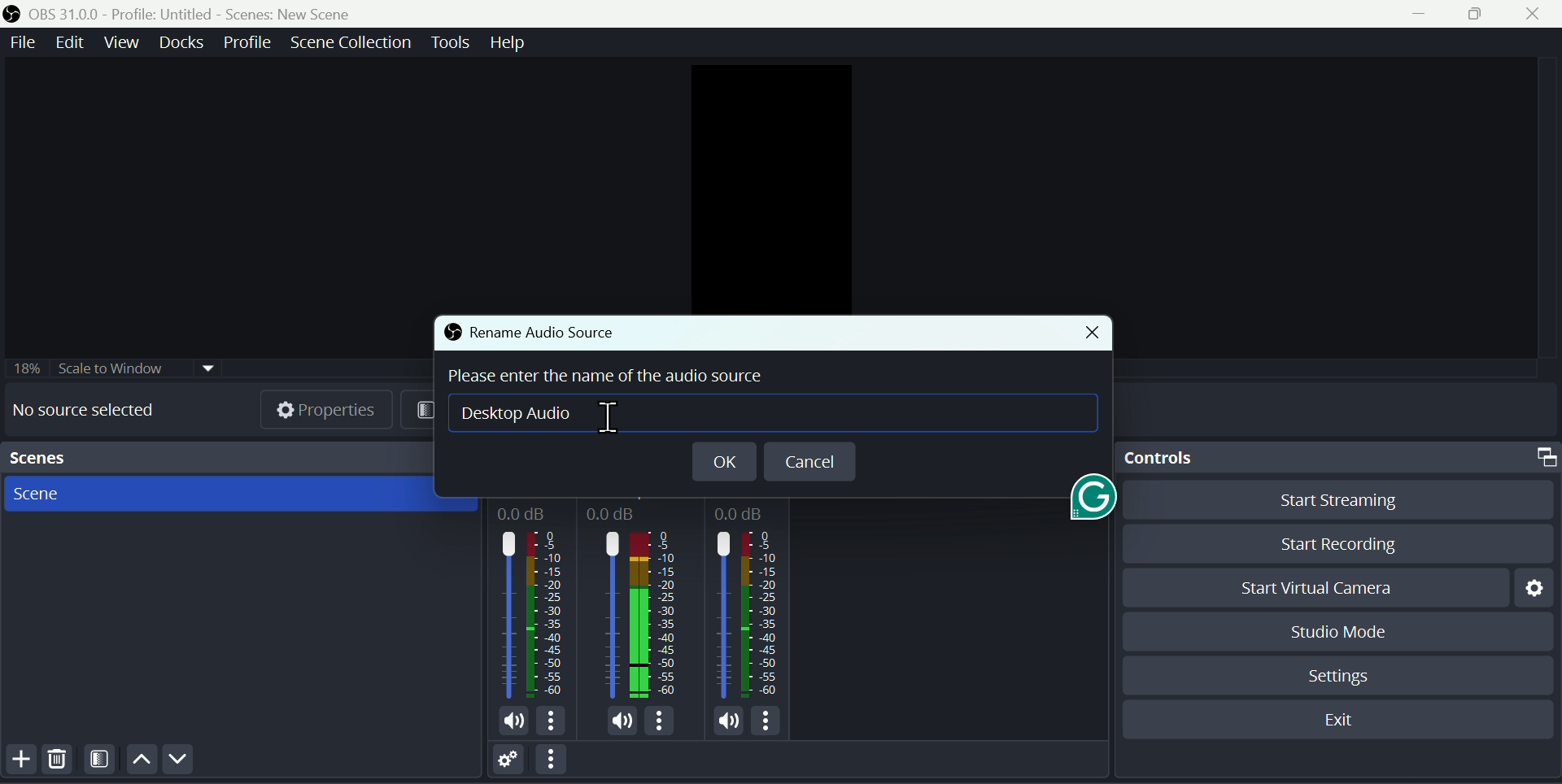 The image size is (1562, 784). What do you see at coordinates (450, 45) in the screenshot?
I see `Tools` at bounding box center [450, 45].